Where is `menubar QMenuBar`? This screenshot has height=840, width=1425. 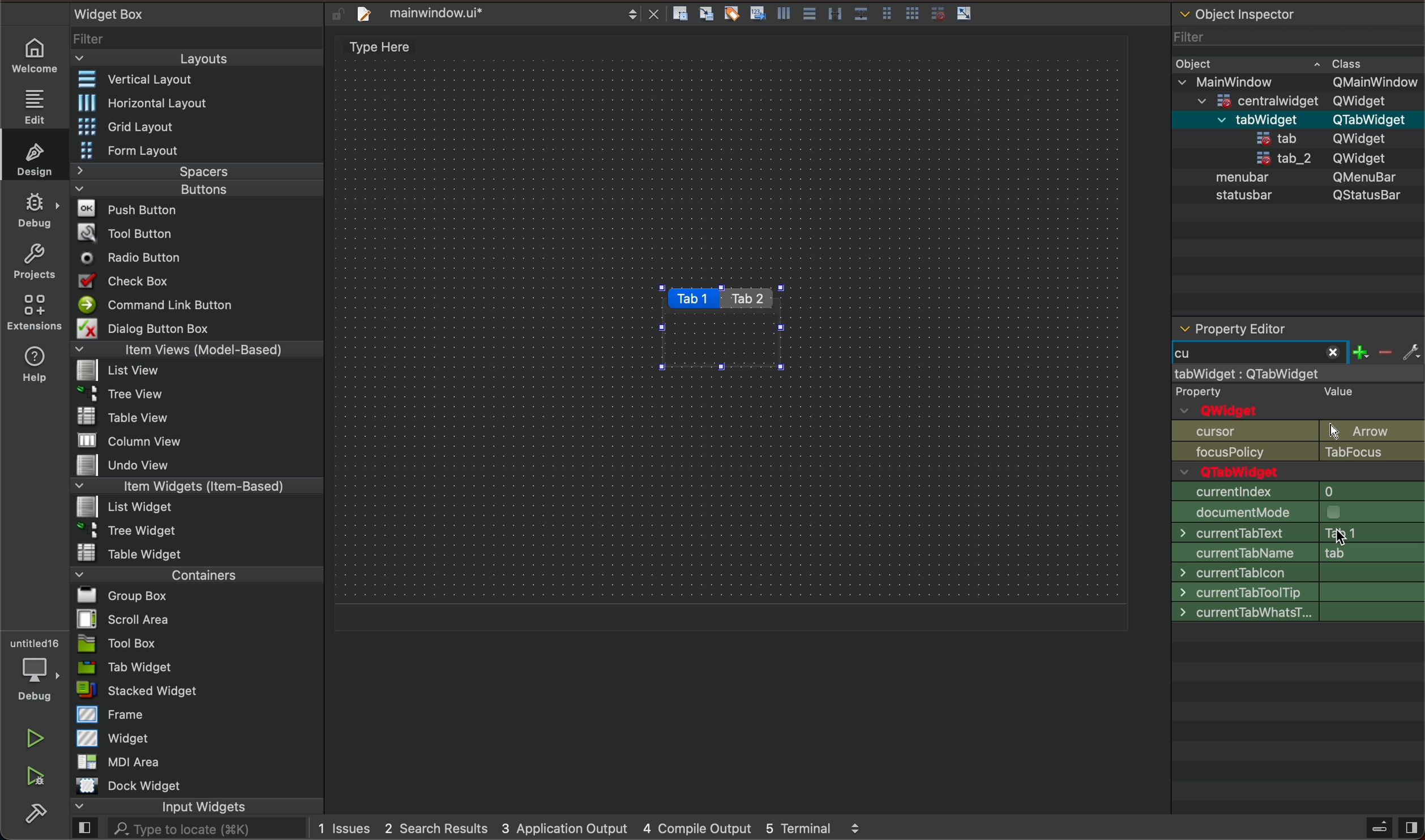
menubar QMenuBar is located at coordinates (1295, 118).